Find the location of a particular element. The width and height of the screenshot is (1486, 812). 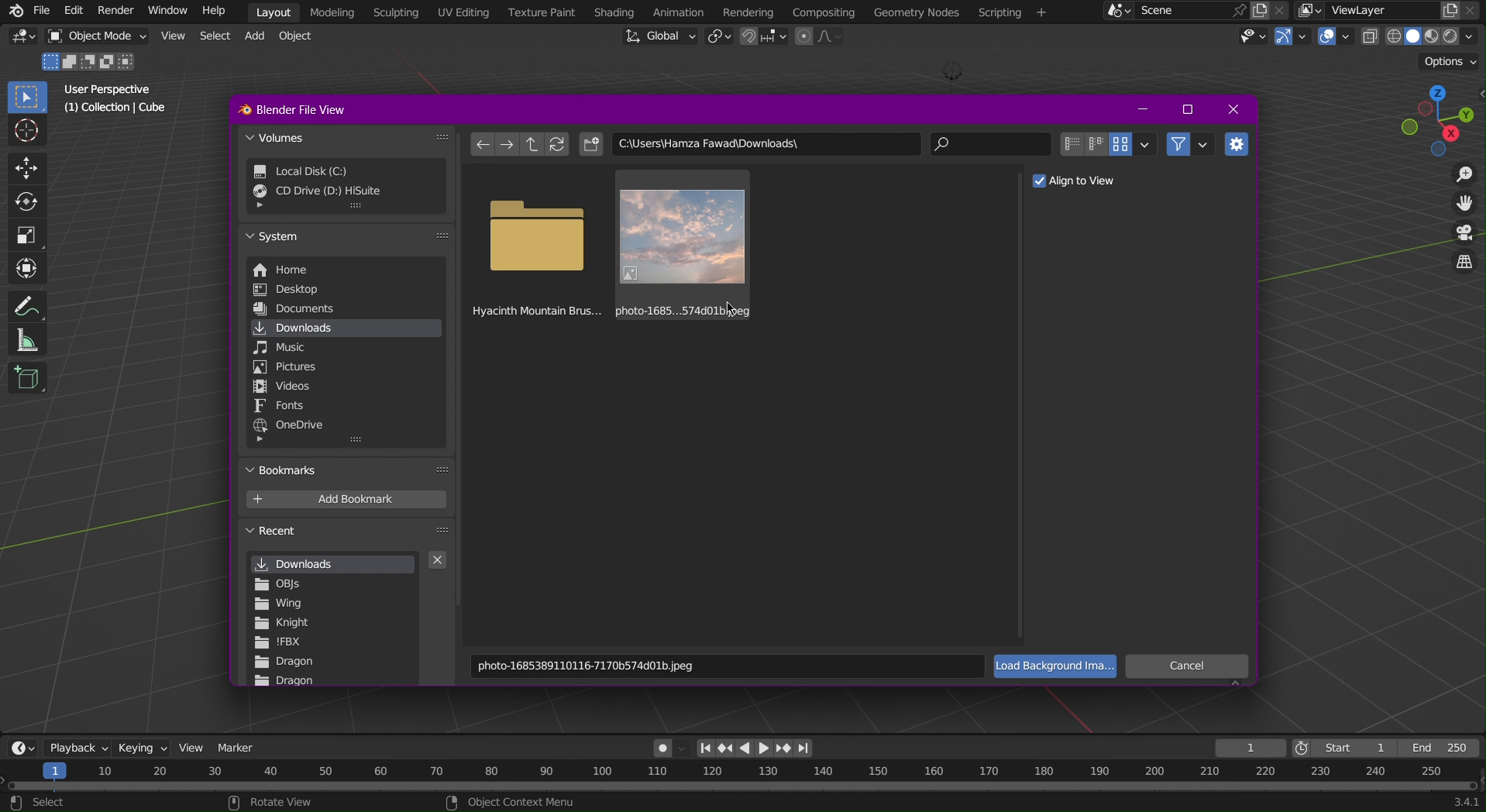

Help is located at coordinates (213, 12).